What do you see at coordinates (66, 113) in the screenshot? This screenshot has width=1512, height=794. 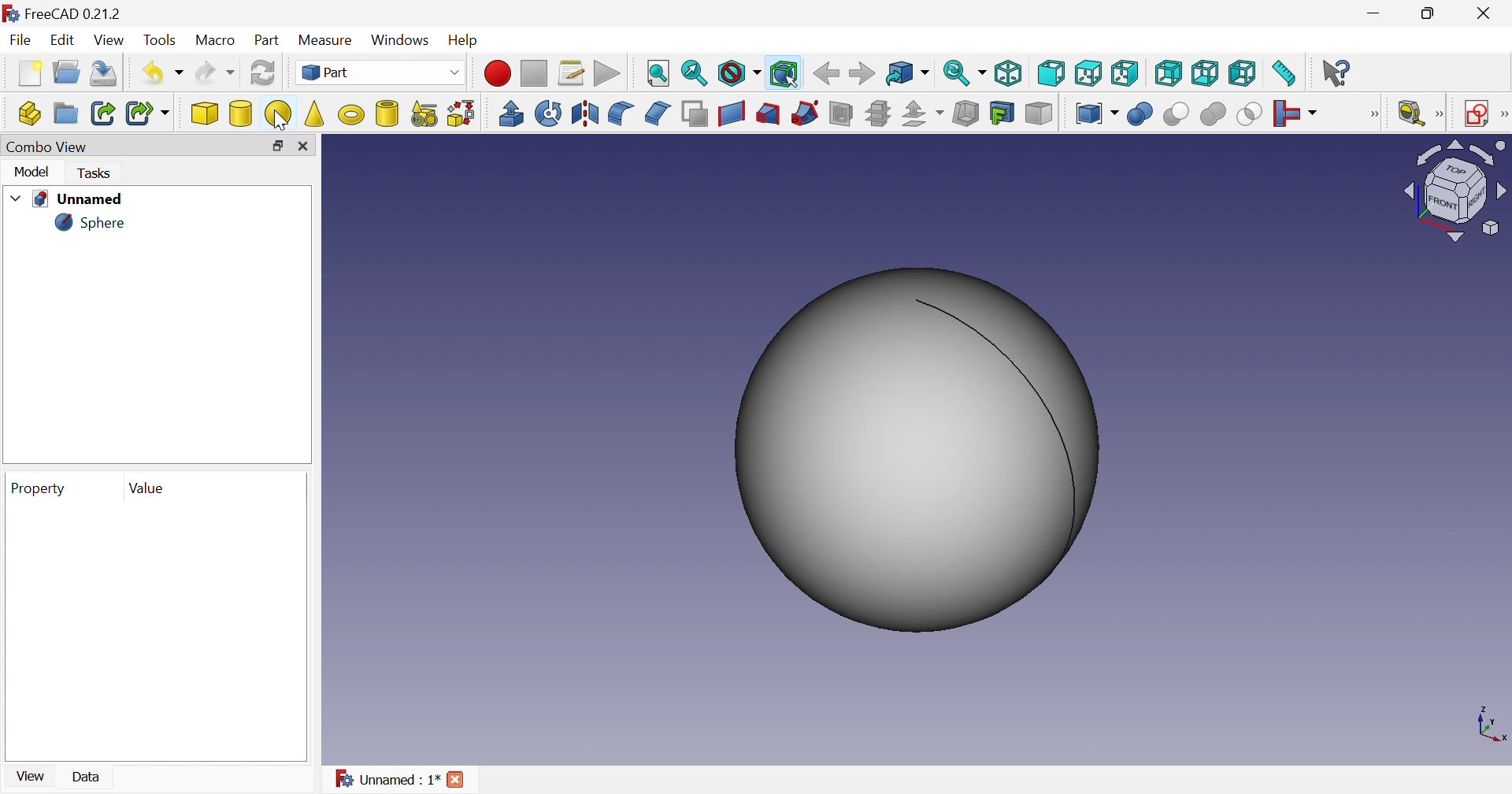 I see `Create group` at bounding box center [66, 113].